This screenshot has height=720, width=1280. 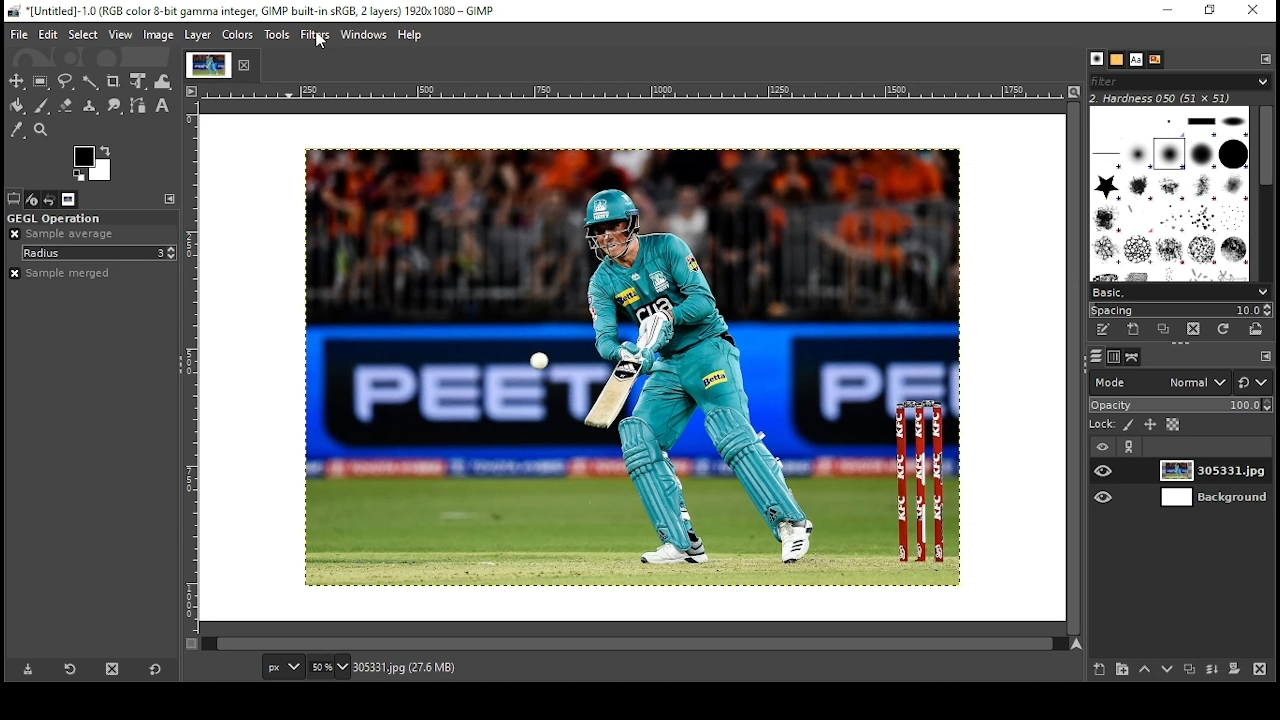 What do you see at coordinates (283, 666) in the screenshot?
I see `units` at bounding box center [283, 666].